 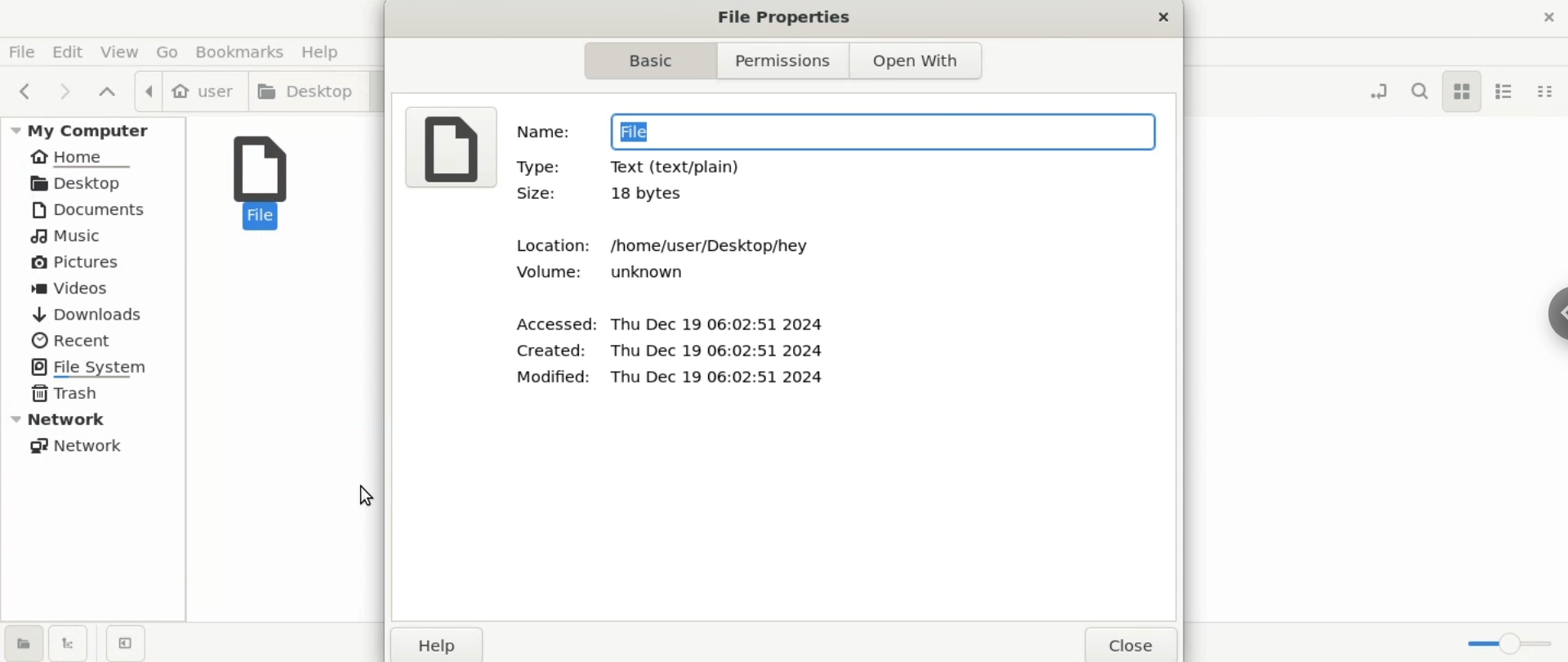 What do you see at coordinates (90, 447) in the screenshot?
I see `network` at bounding box center [90, 447].